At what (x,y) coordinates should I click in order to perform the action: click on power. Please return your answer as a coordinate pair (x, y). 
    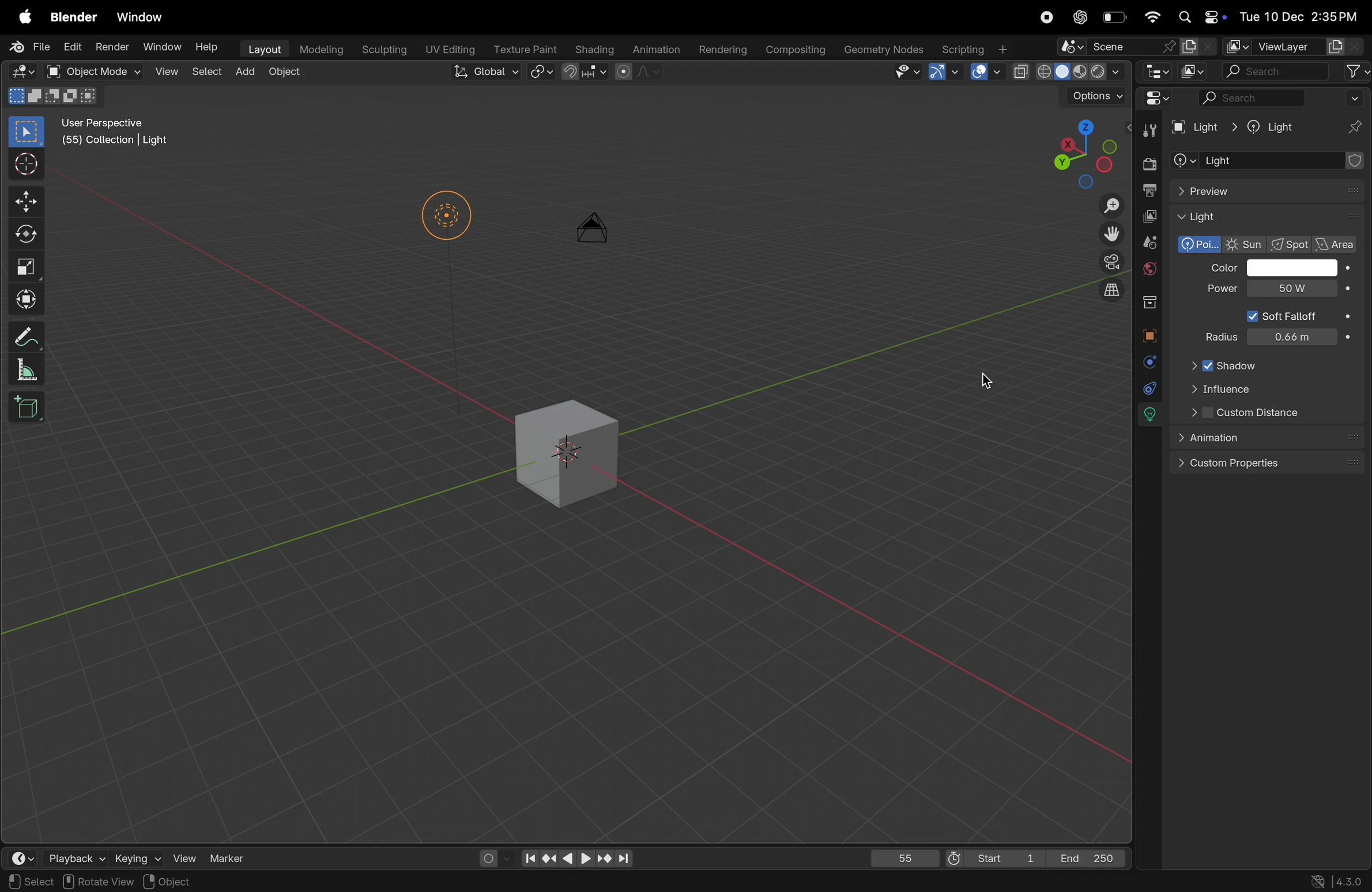
    Looking at the image, I should click on (1280, 328).